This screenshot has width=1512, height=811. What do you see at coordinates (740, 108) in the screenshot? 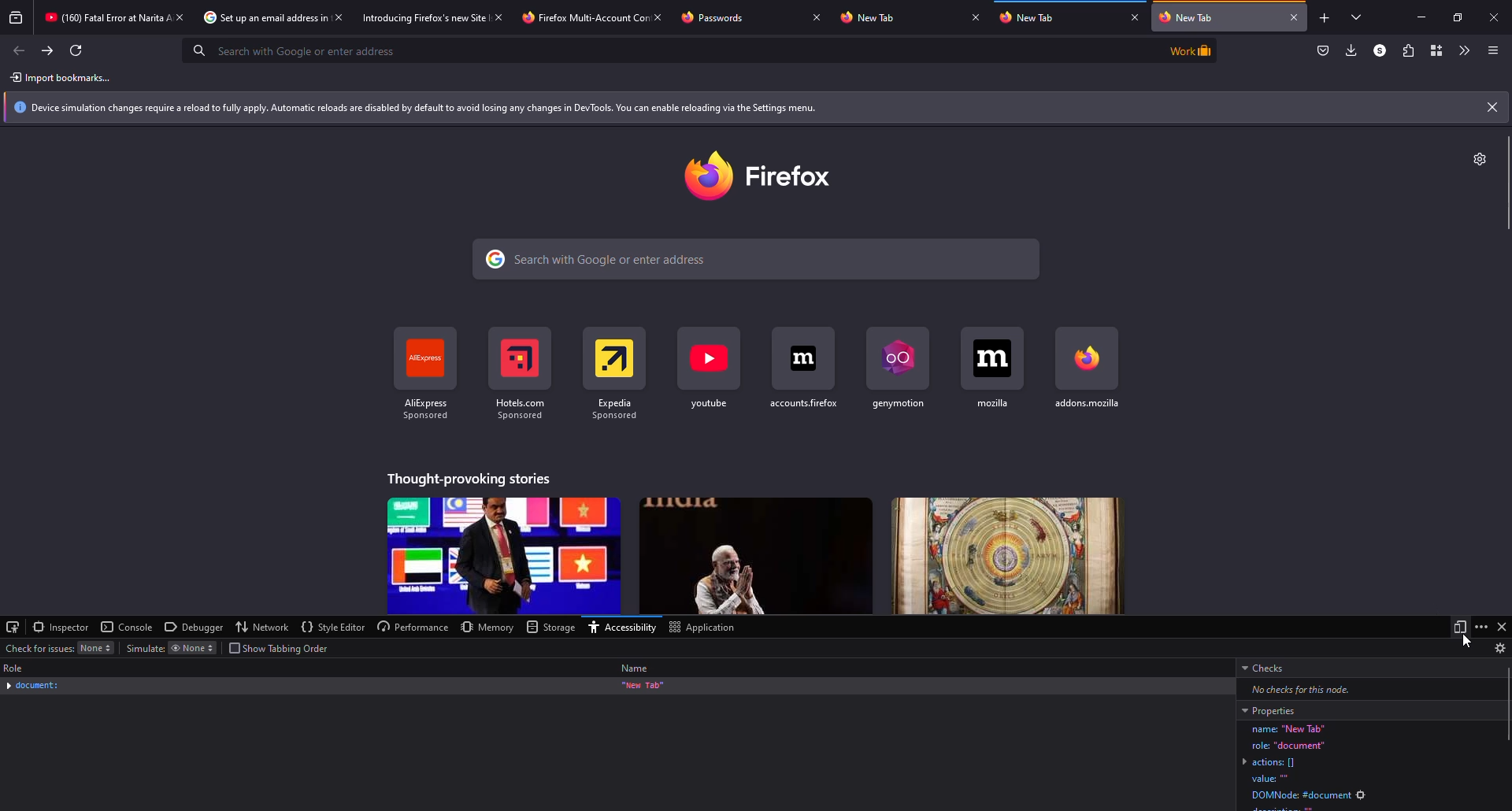
I see `Notification` at bounding box center [740, 108].